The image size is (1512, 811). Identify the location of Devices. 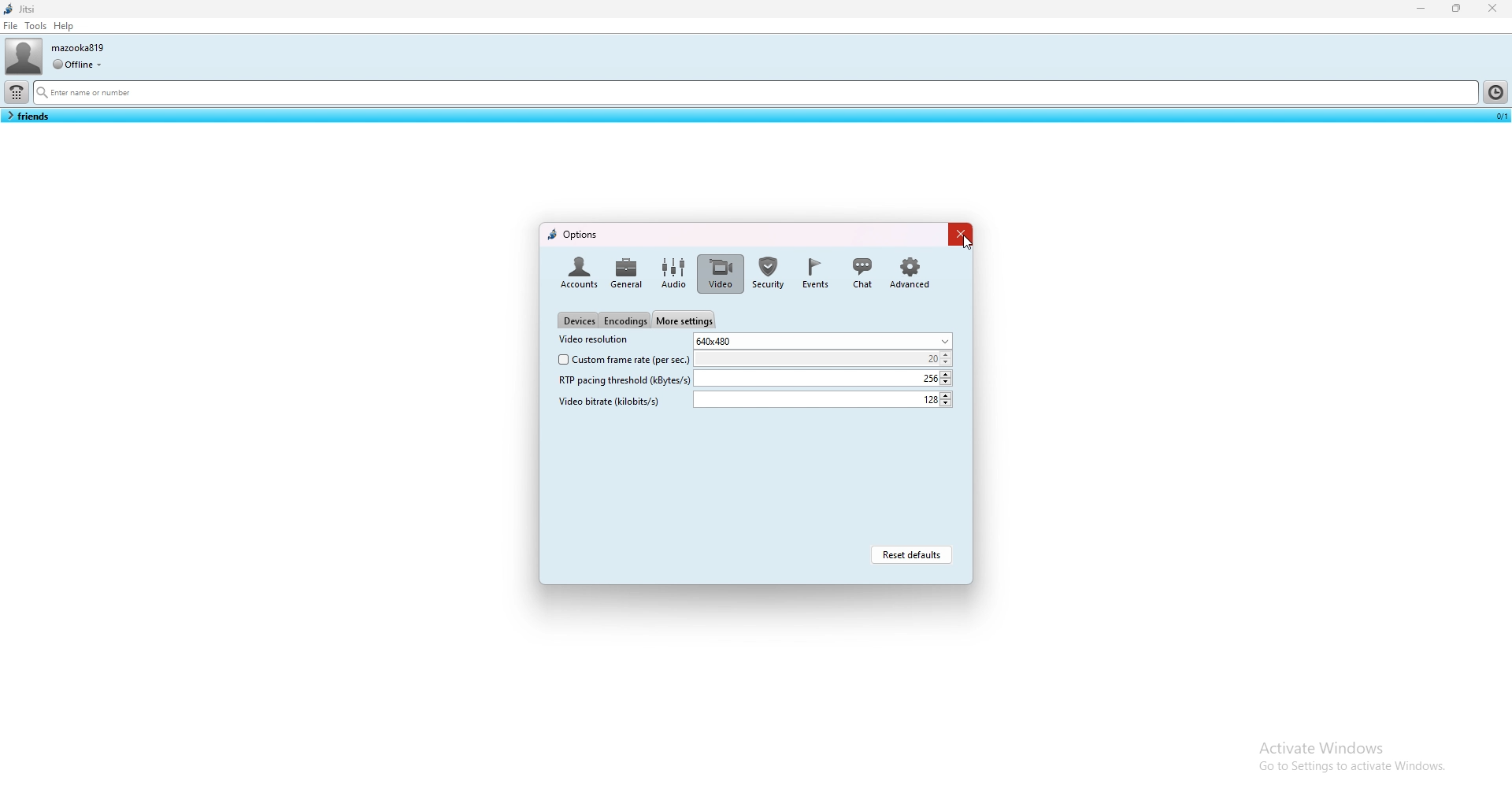
(577, 320).